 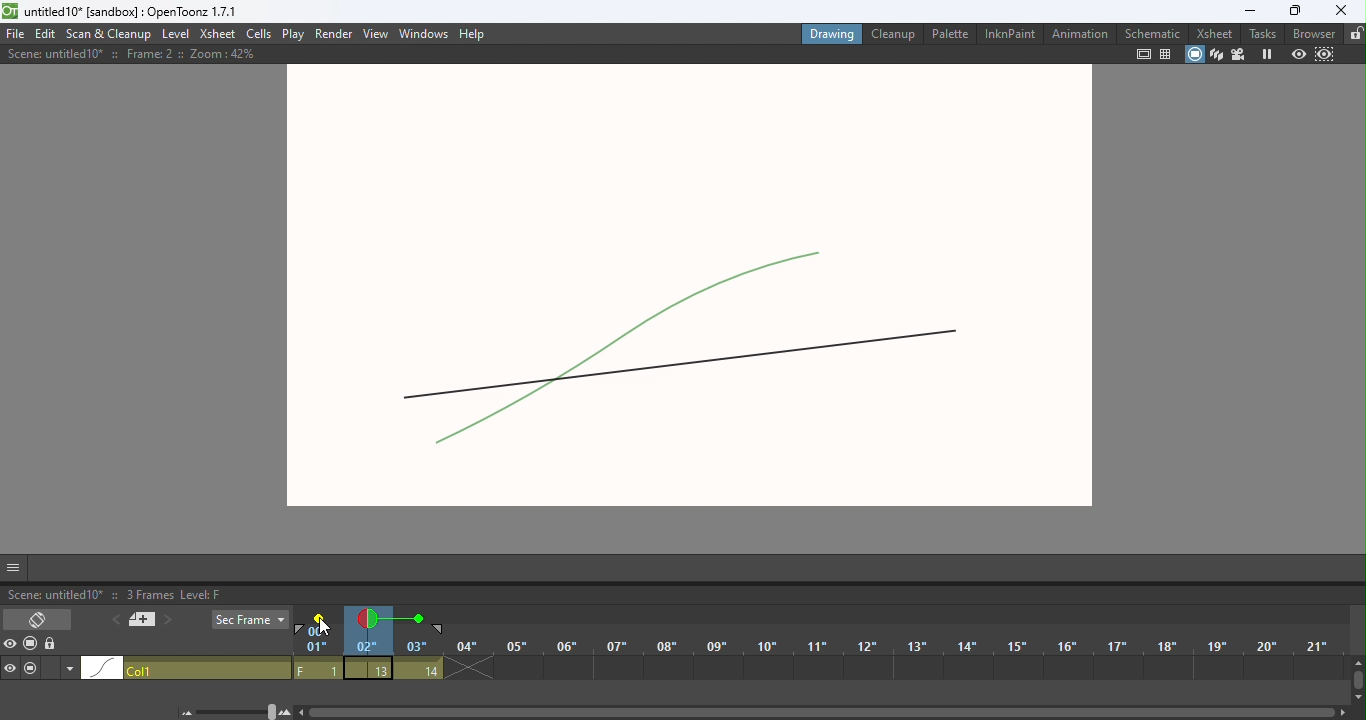 I want to click on 13, so click(x=368, y=668).